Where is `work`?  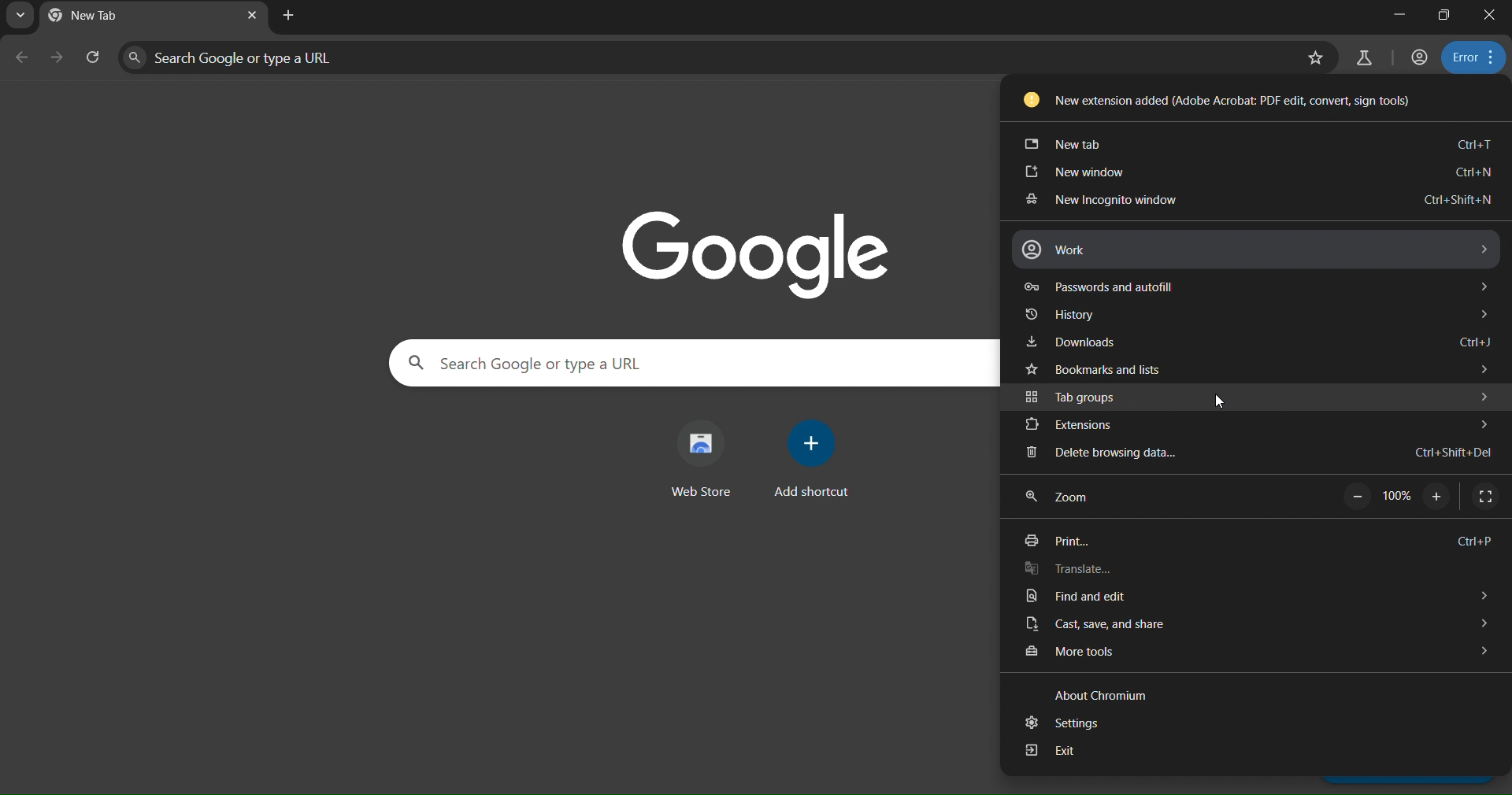 work is located at coordinates (1255, 250).